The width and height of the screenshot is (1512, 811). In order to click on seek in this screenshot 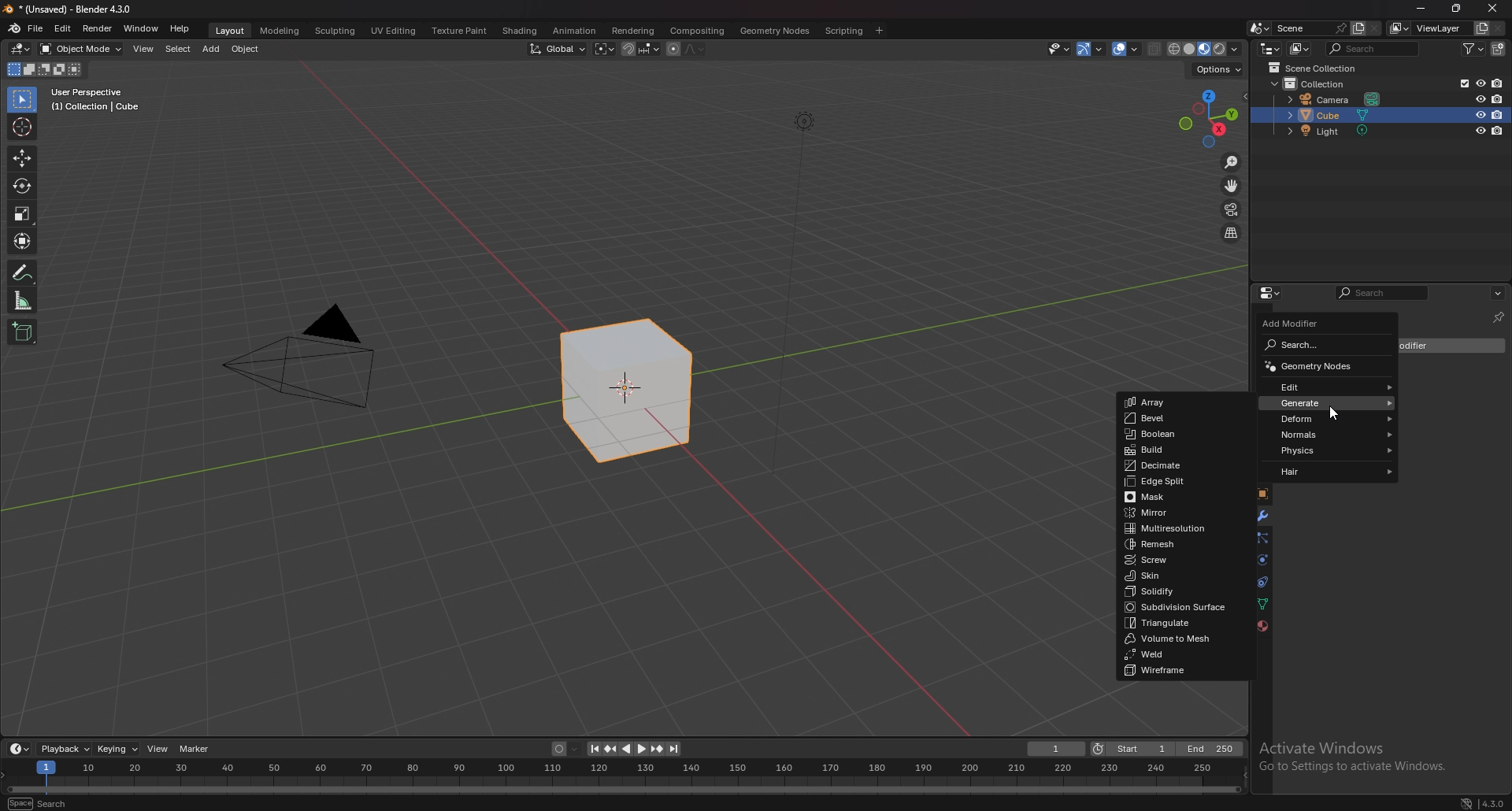, I will do `click(625, 778)`.